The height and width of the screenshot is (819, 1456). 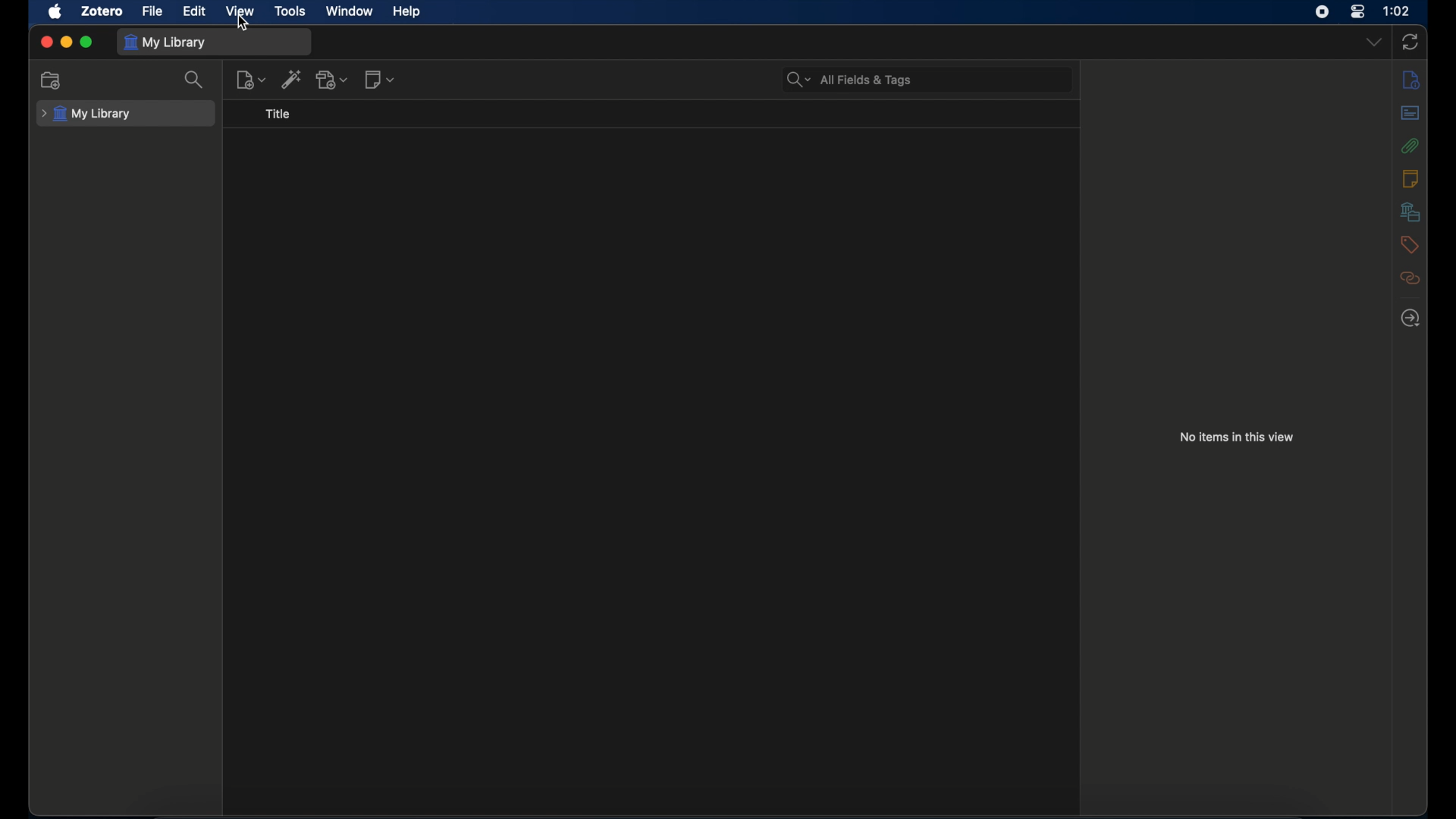 I want to click on abstract, so click(x=1411, y=112).